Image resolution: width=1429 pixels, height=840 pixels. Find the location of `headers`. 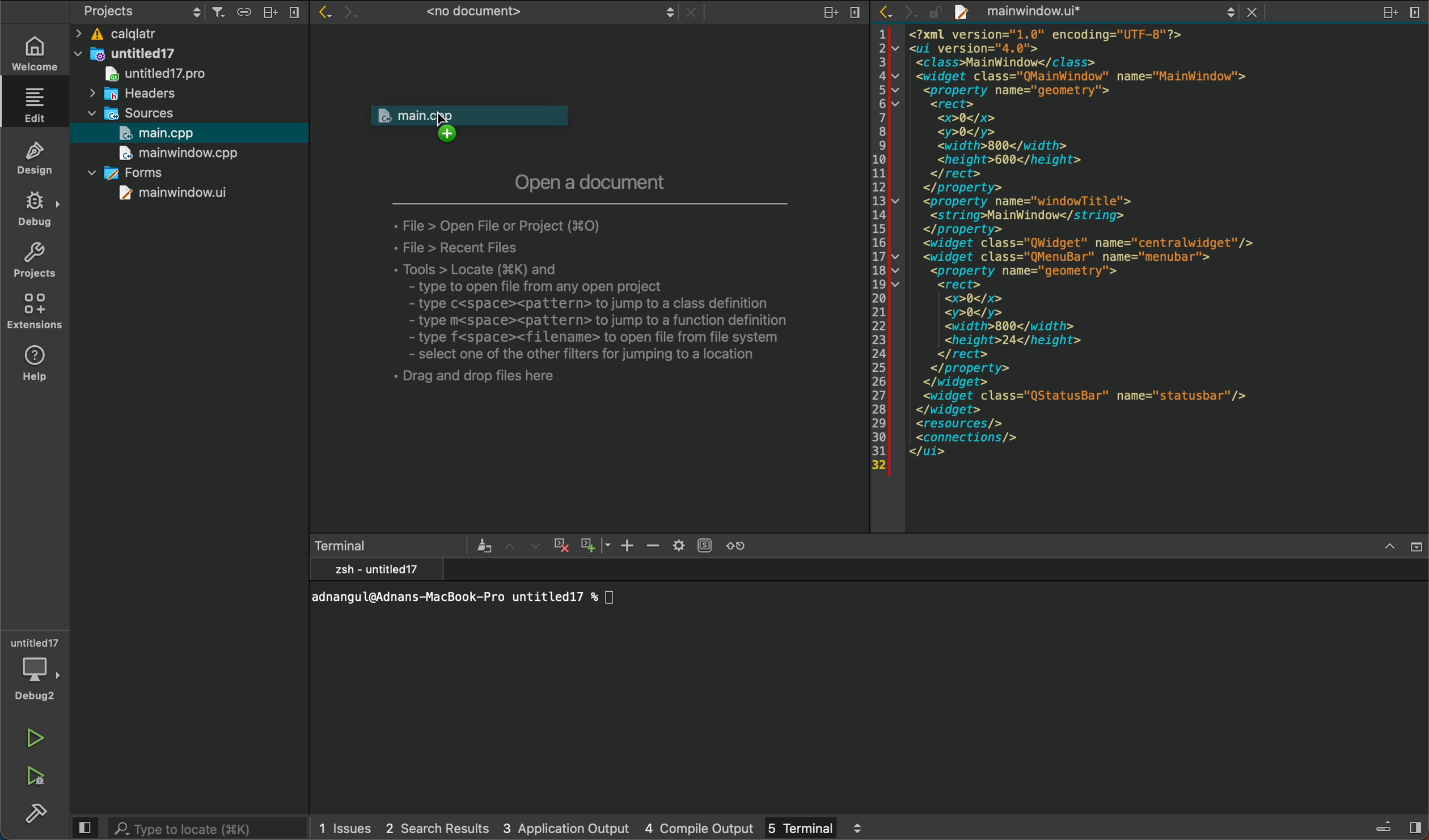

headers is located at coordinates (133, 95).